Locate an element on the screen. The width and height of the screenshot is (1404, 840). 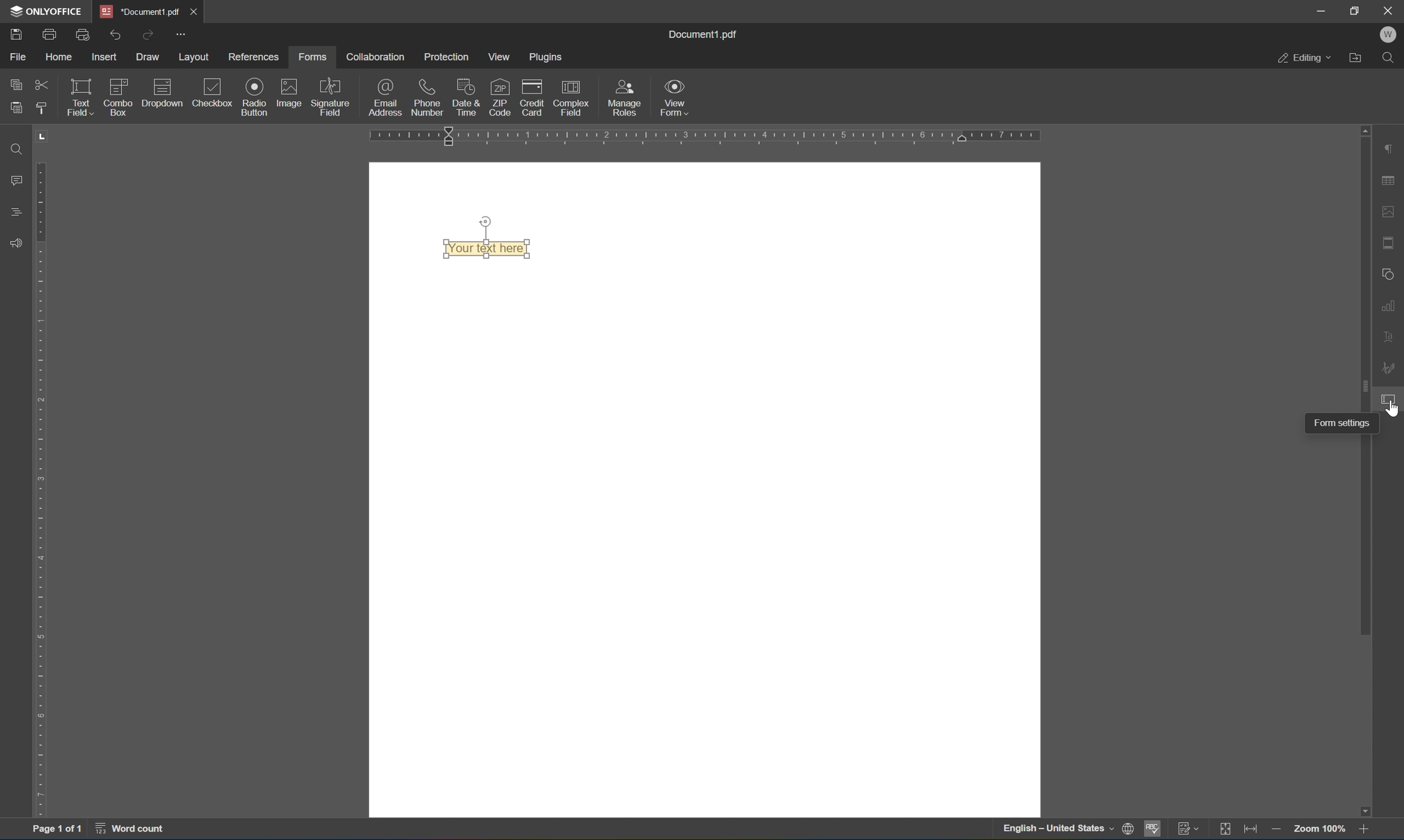
word count is located at coordinates (127, 828).